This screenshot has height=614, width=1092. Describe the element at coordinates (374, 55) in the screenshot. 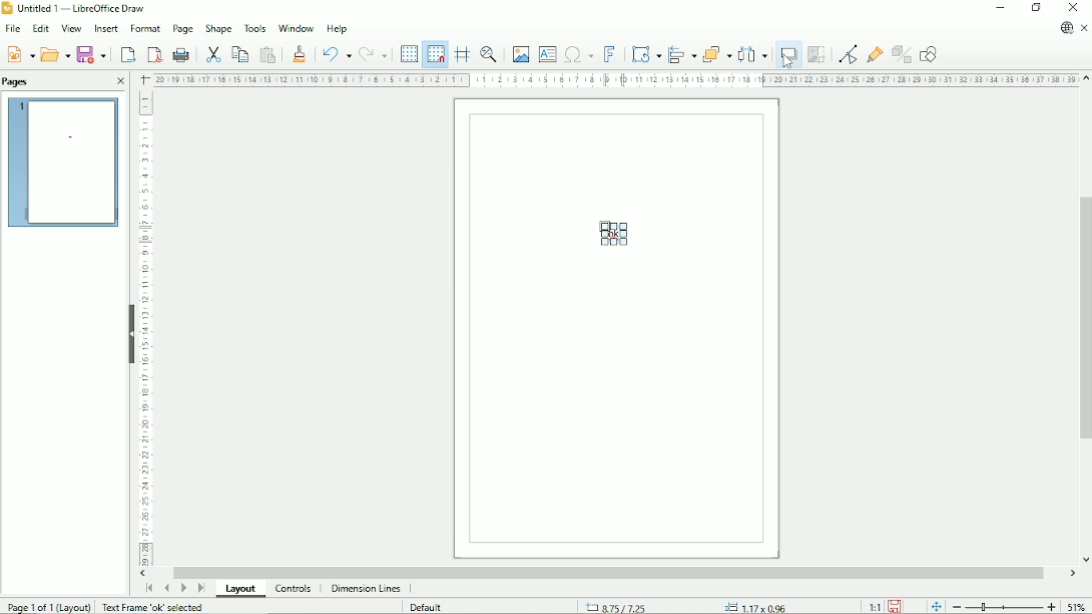

I see `Redo` at that location.